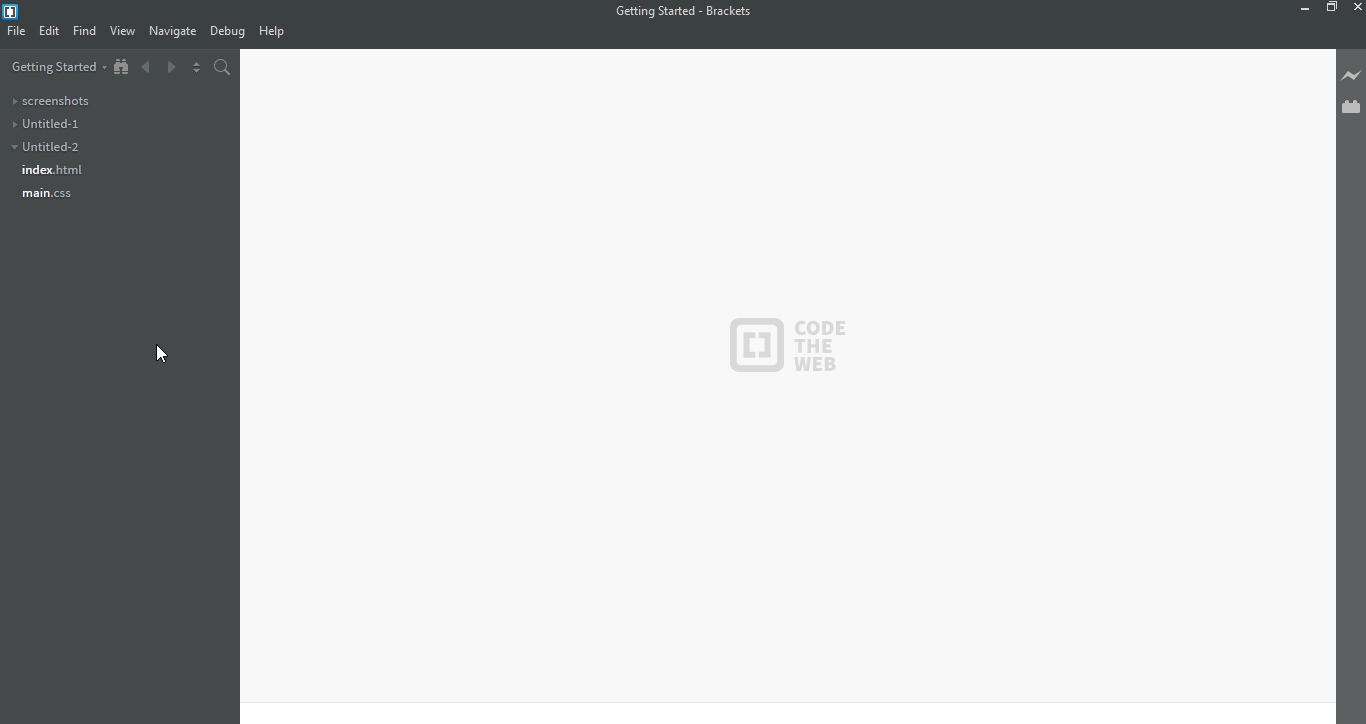  What do you see at coordinates (687, 11) in the screenshot?
I see `getting started - brackets` at bounding box center [687, 11].